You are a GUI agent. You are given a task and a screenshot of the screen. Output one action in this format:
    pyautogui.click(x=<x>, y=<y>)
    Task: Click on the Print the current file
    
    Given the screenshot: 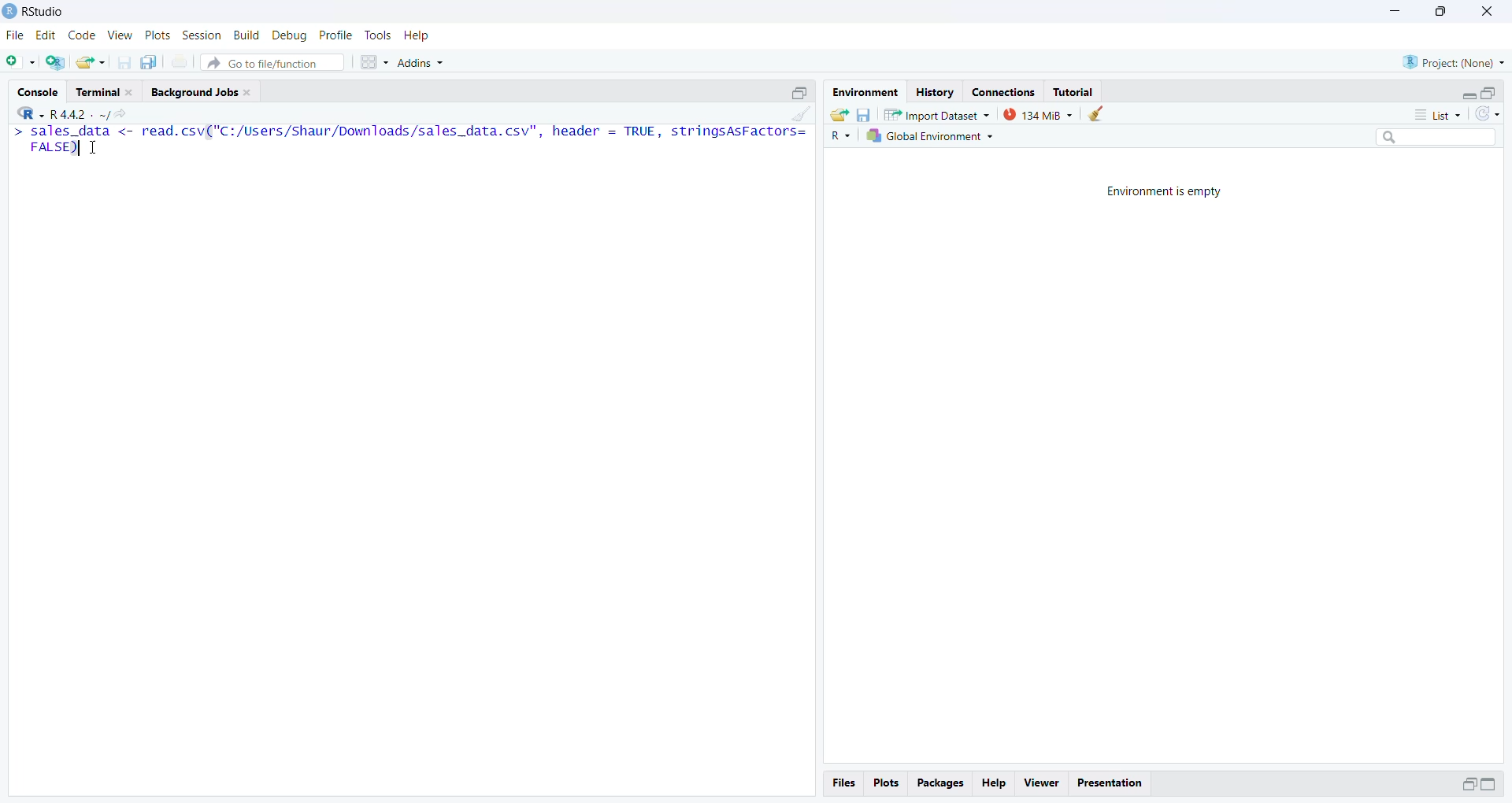 What is the action you would take?
    pyautogui.click(x=178, y=64)
    